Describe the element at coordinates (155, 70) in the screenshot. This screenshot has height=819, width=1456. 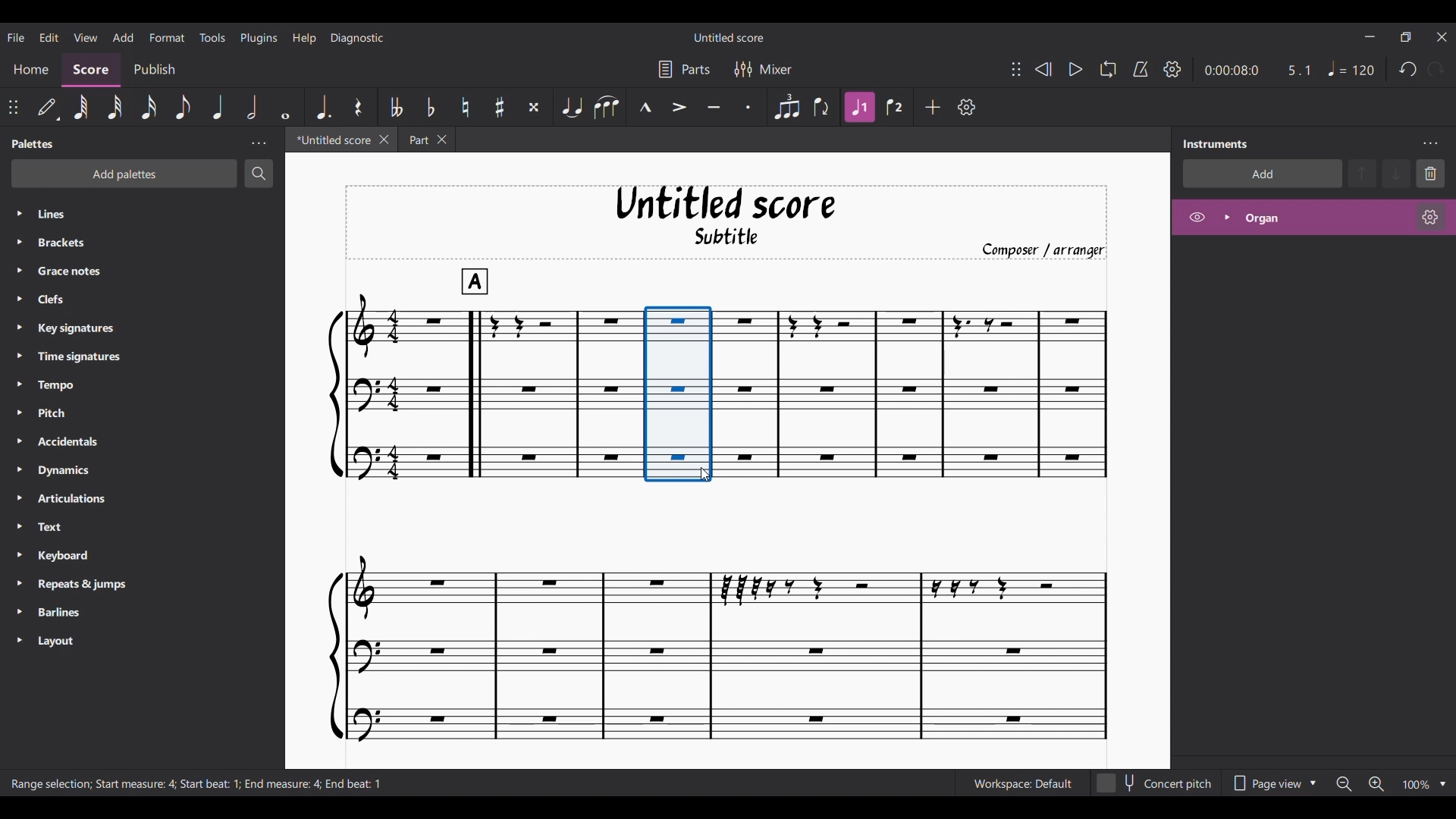
I see `Publish section` at that location.